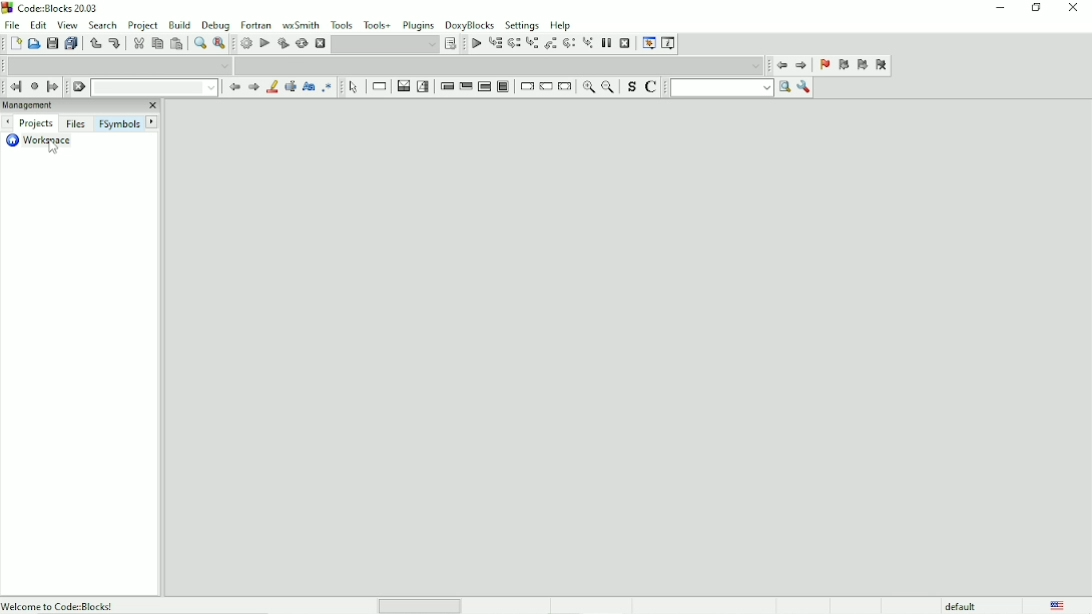  What do you see at coordinates (93, 43) in the screenshot?
I see `Undo` at bounding box center [93, 43].